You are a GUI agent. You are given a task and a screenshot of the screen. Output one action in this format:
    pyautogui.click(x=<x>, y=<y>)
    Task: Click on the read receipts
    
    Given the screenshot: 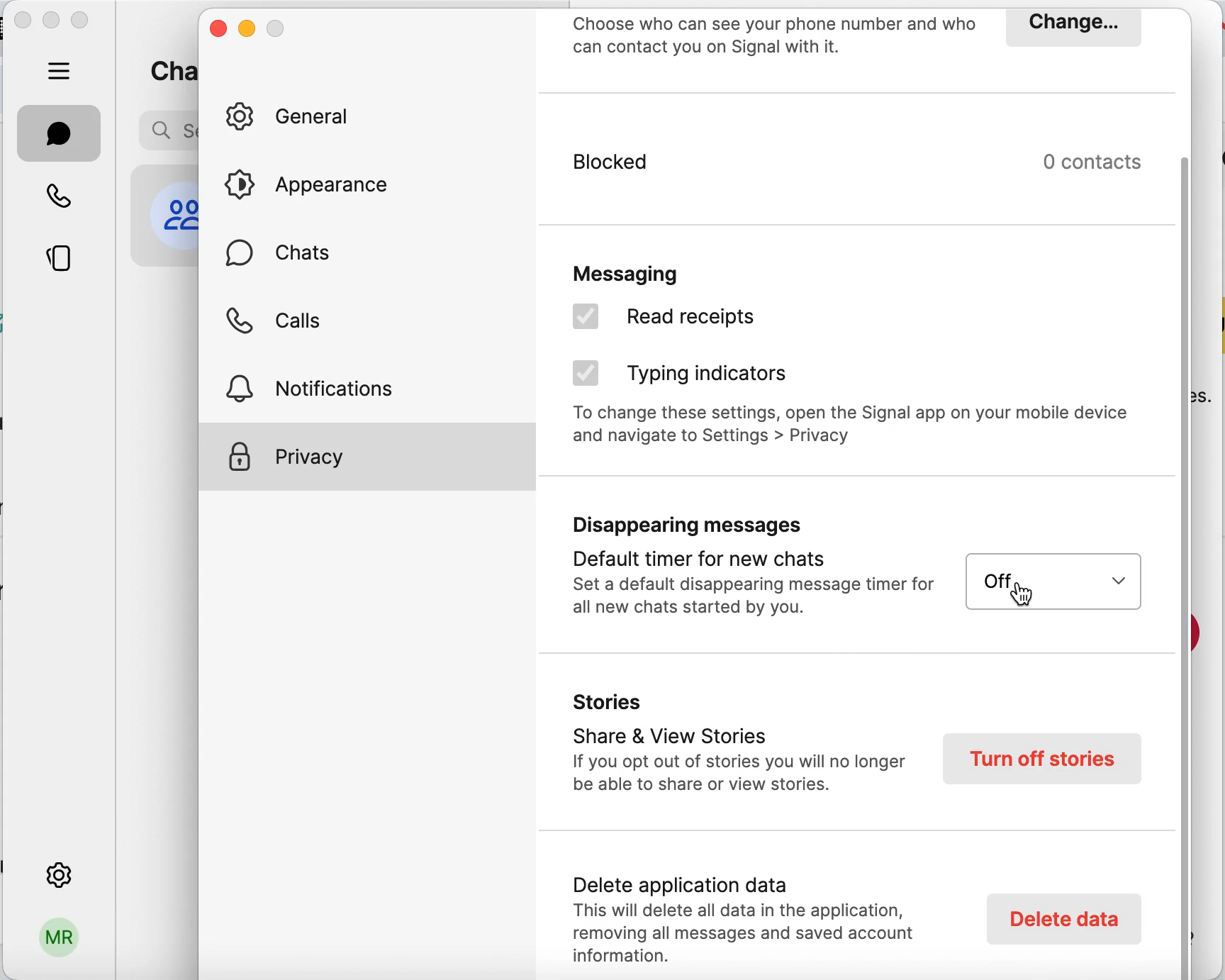 What is the action you would take?
    pyautogui.click(x=698, y=321)
    